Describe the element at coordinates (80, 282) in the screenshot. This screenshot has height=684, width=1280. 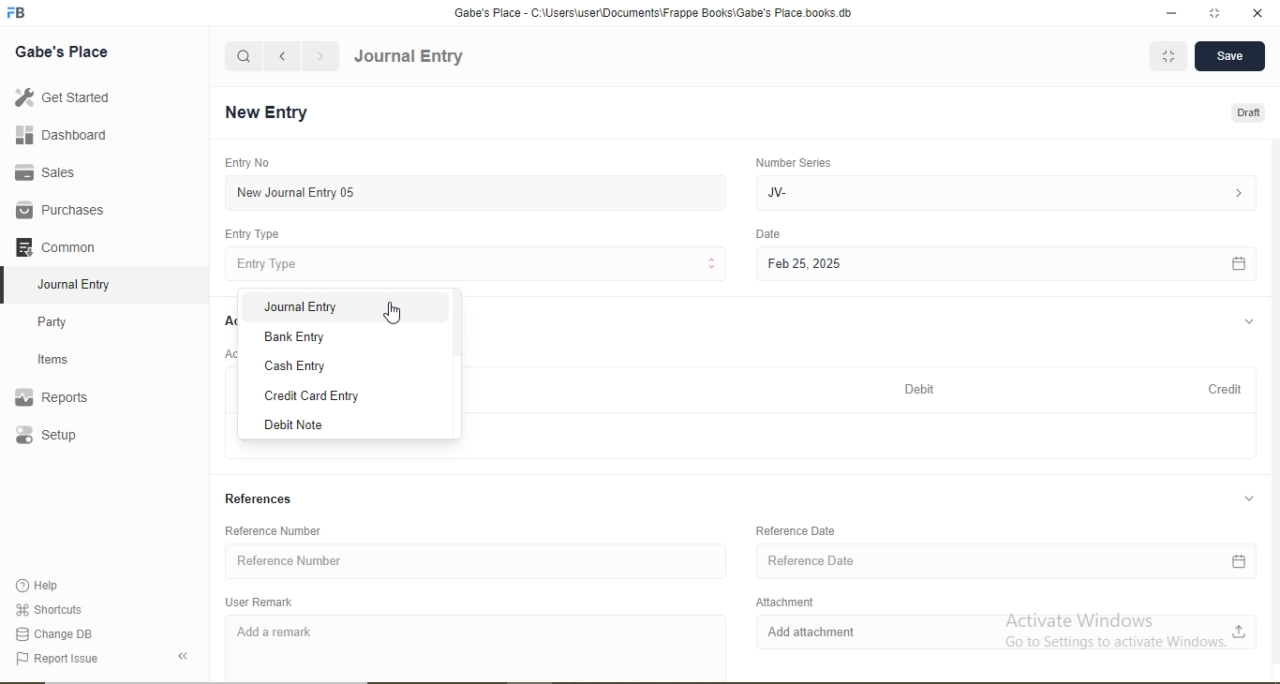
I see `Journal Entry` at that location.